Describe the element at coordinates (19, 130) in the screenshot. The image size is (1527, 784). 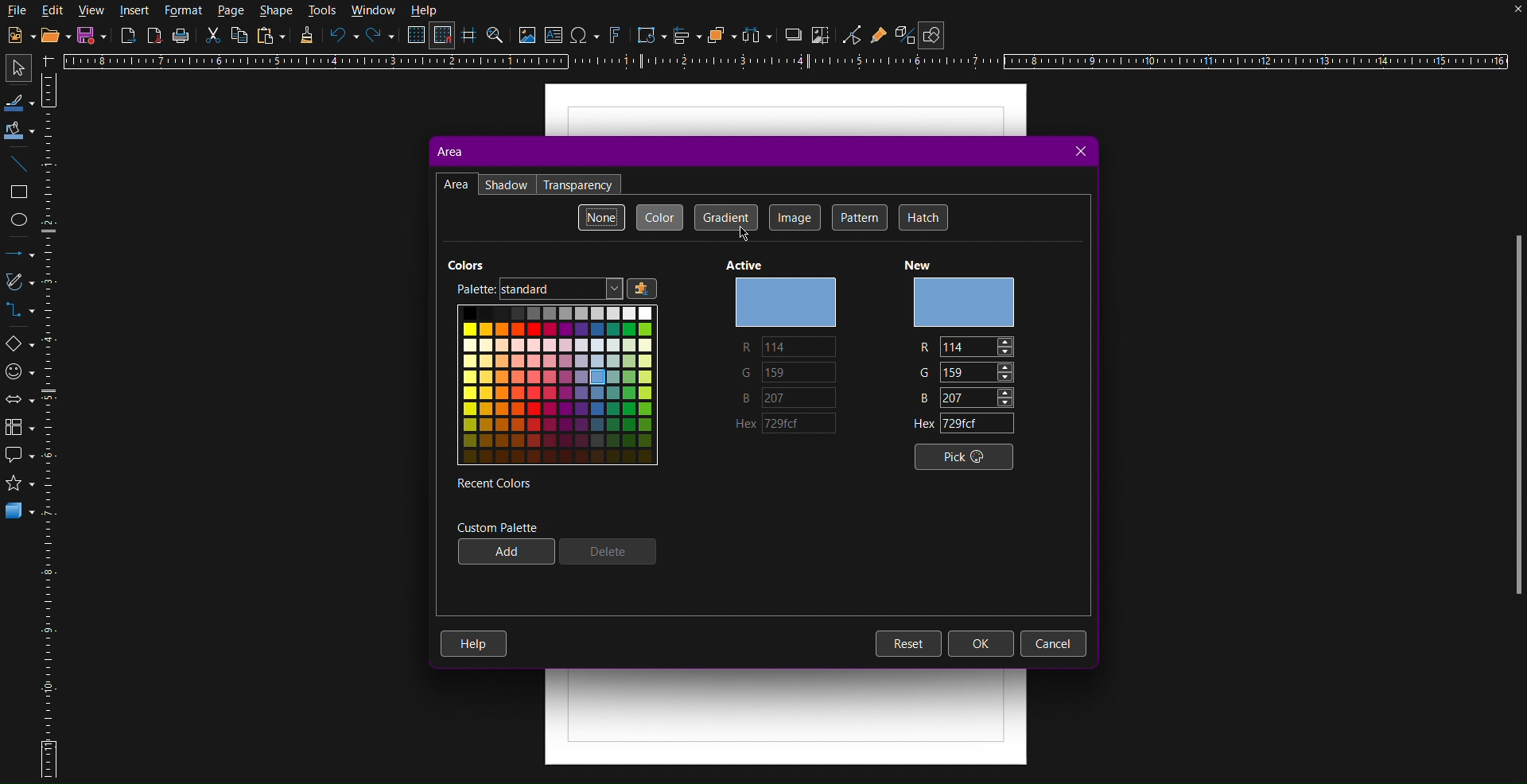
I see `Fill Color` at that location.